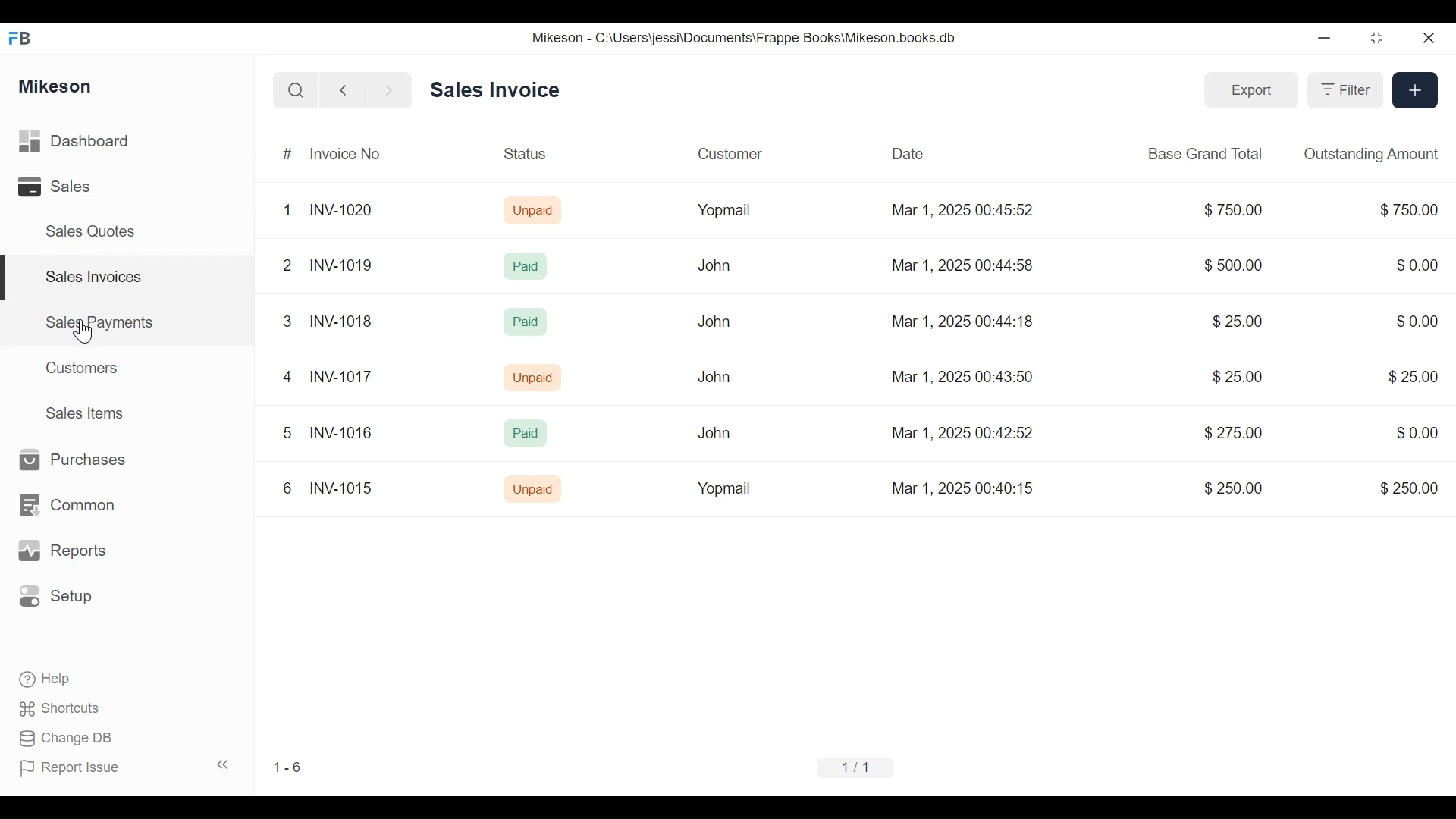 The width and height of the screenshot is (1456, 819). I want to click on Date, so click(905, 153).